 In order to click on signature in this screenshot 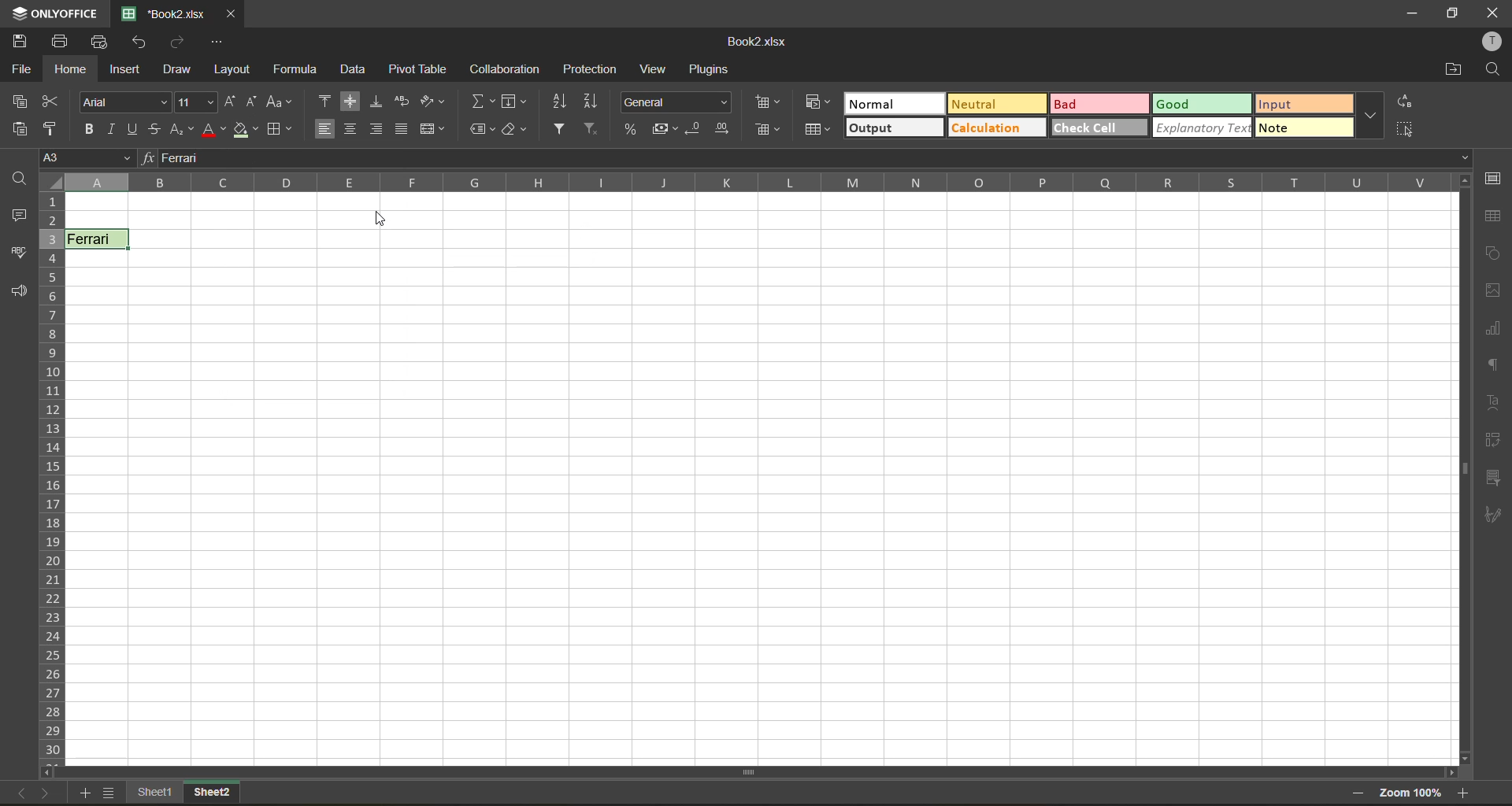, I will do `click(1495, 518)`.